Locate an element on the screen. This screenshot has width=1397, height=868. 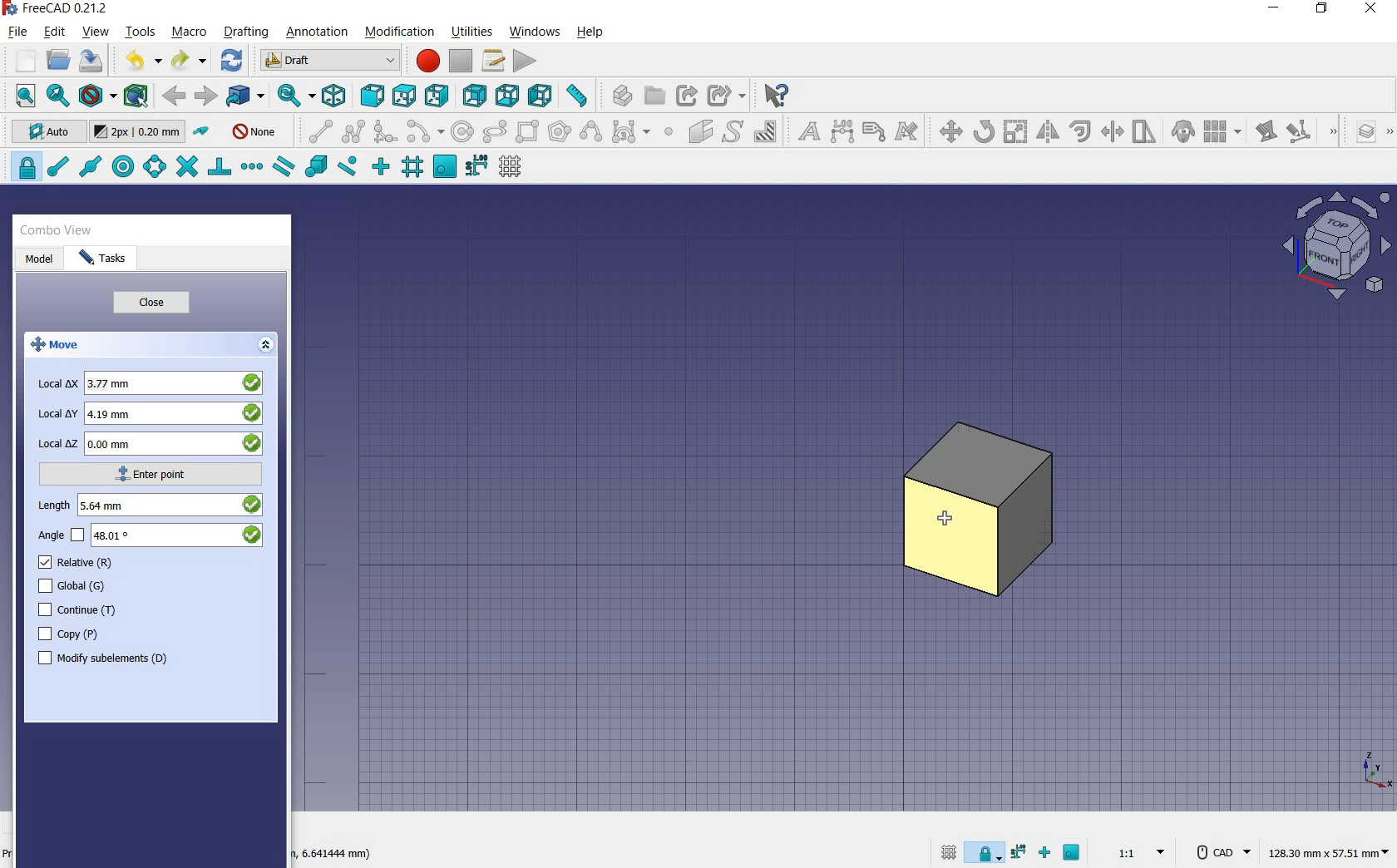
open is located at coordinates (61, 61).